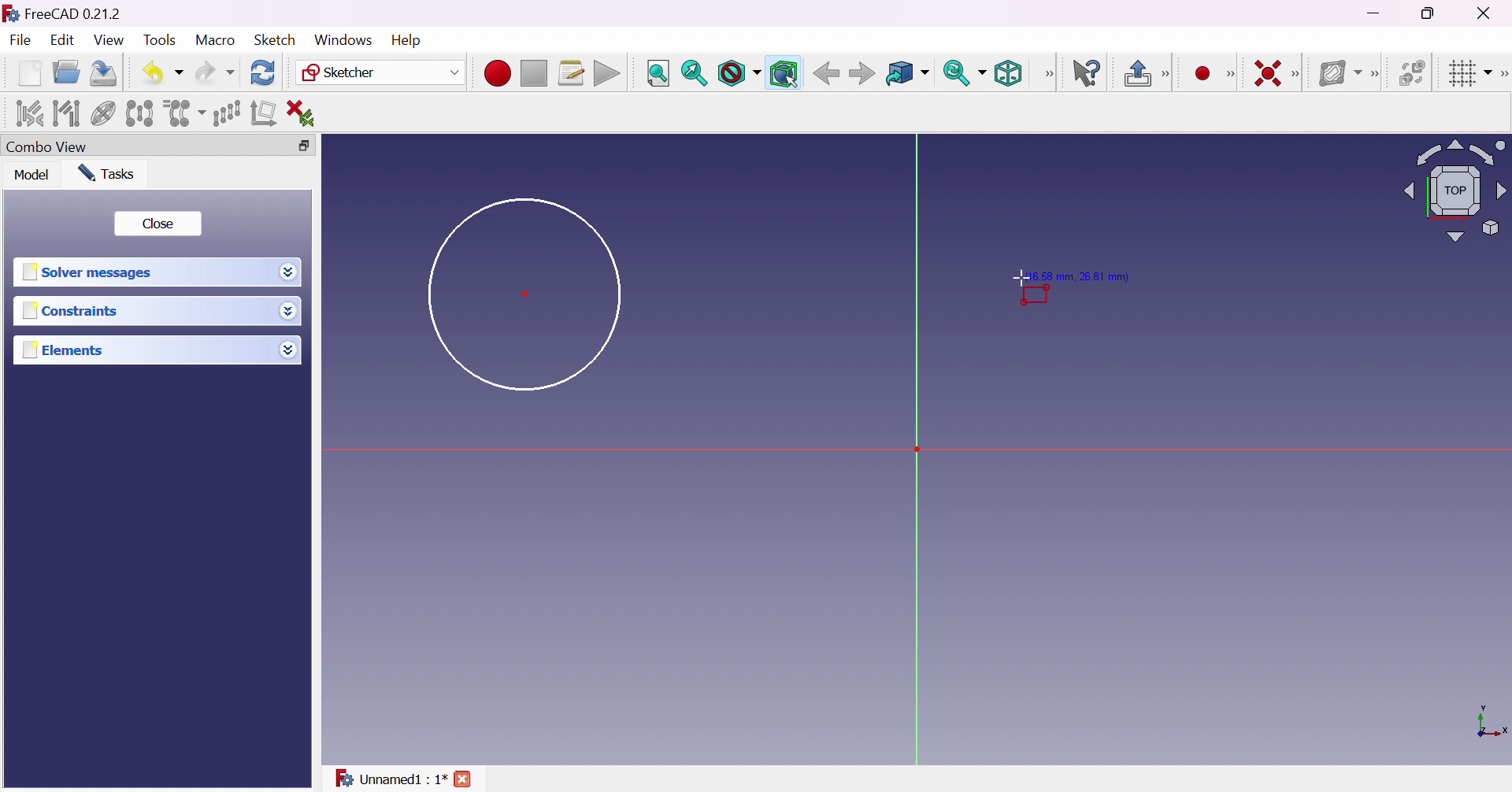  Describe the element at coordinates (140, 113) in the screenshot. I see `Symmetry` at that location.